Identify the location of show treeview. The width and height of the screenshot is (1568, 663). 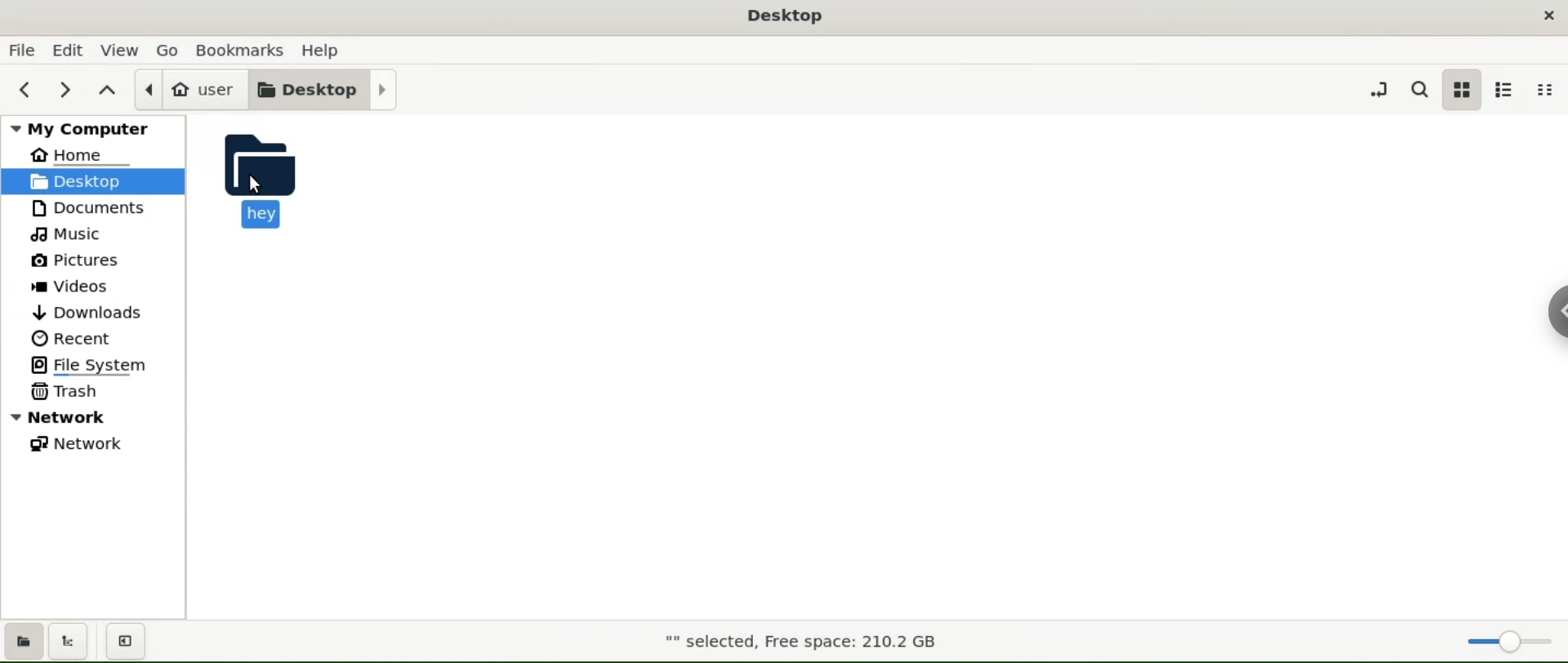
(71, 641).